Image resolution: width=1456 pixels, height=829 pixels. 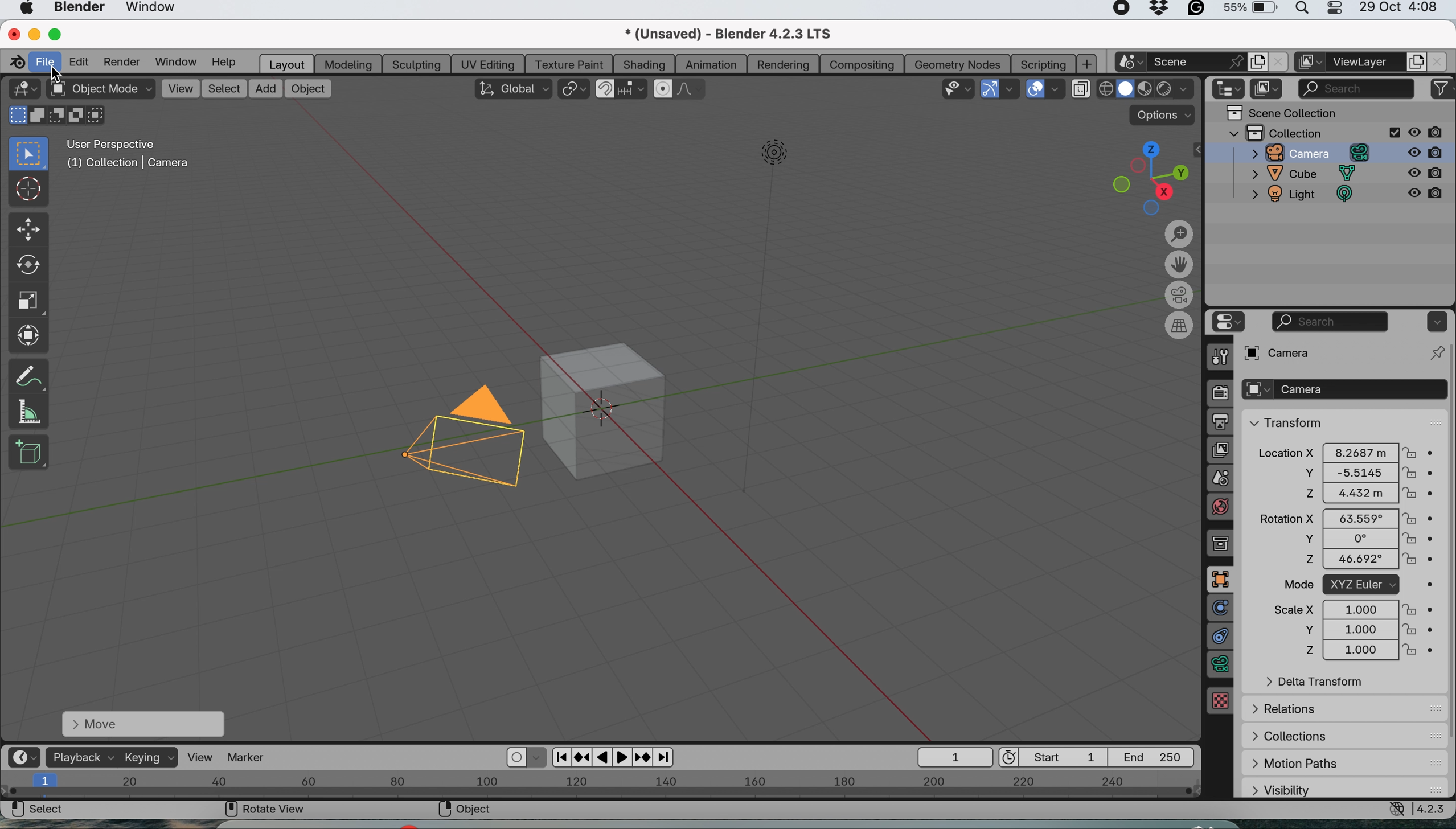 What do you see at coordinates (1300, 11) in the screenshot?
I see `spotlight search` at bounding box center [1300, 11].